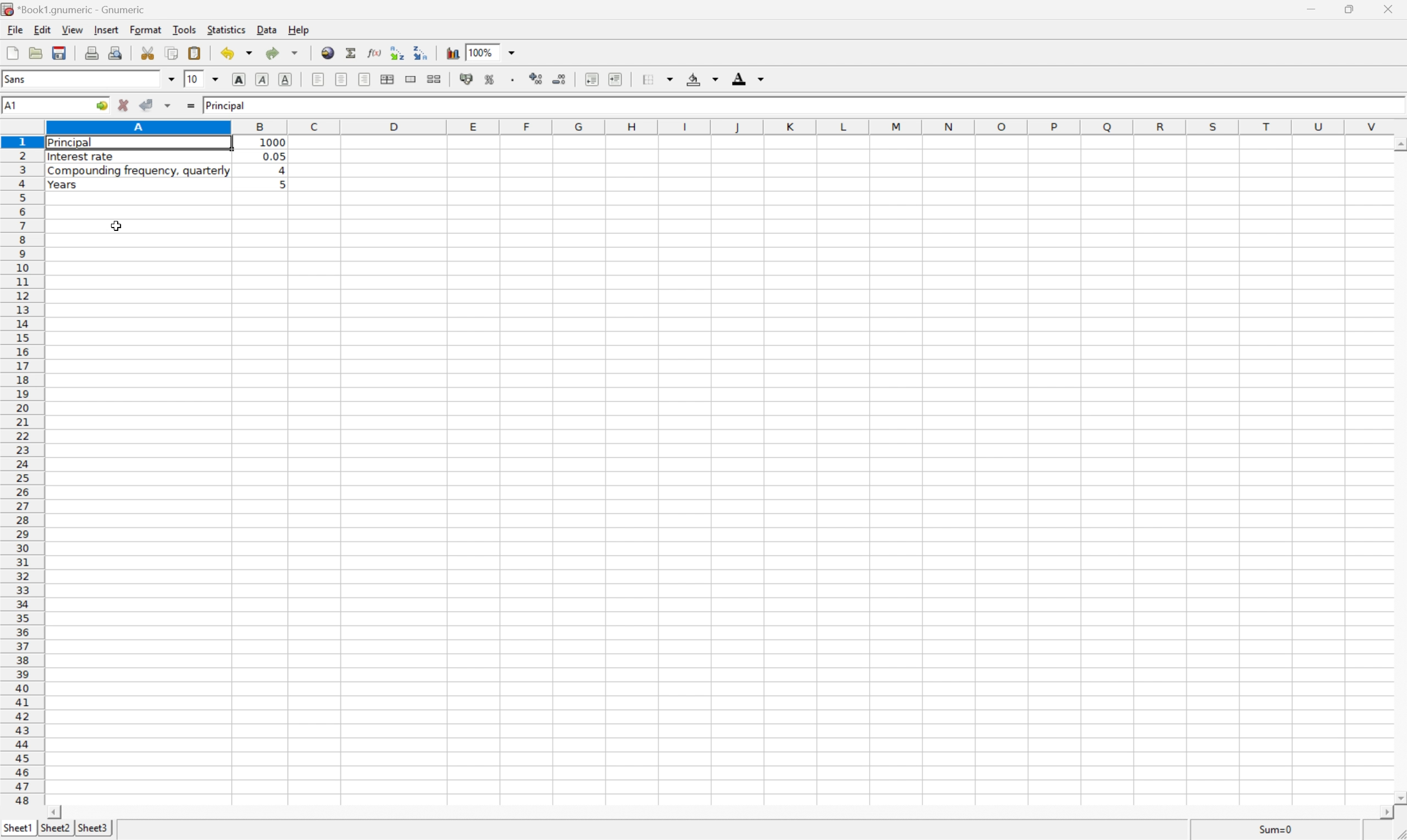 The image size is (1407, 840). I want to click on drop down, so click(216, 80).